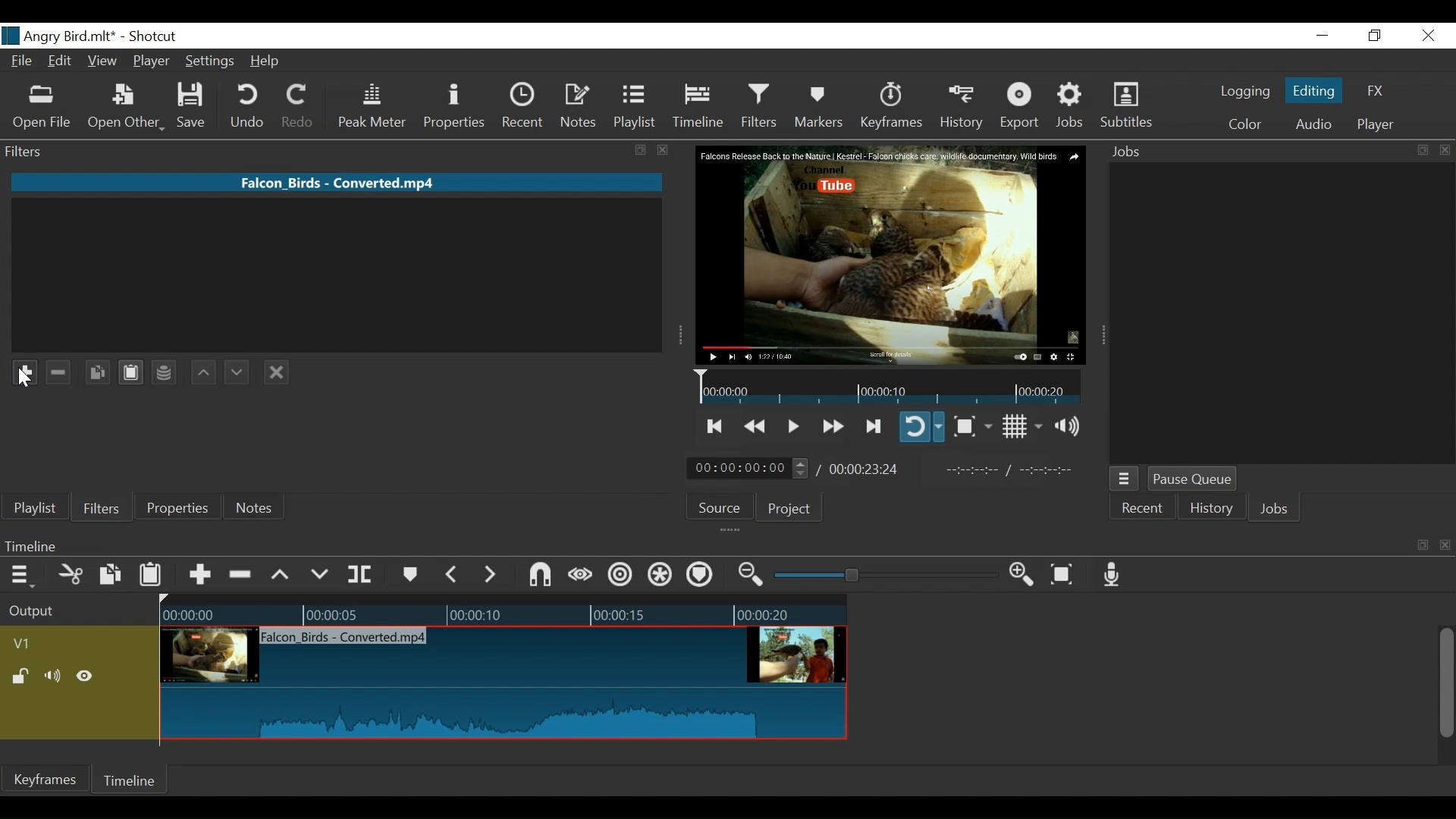 The width and height of the screenshot is (1456, 819). Describe the element at coordinates (635, 106) in the screenshot. I see `Playlist` at that location.